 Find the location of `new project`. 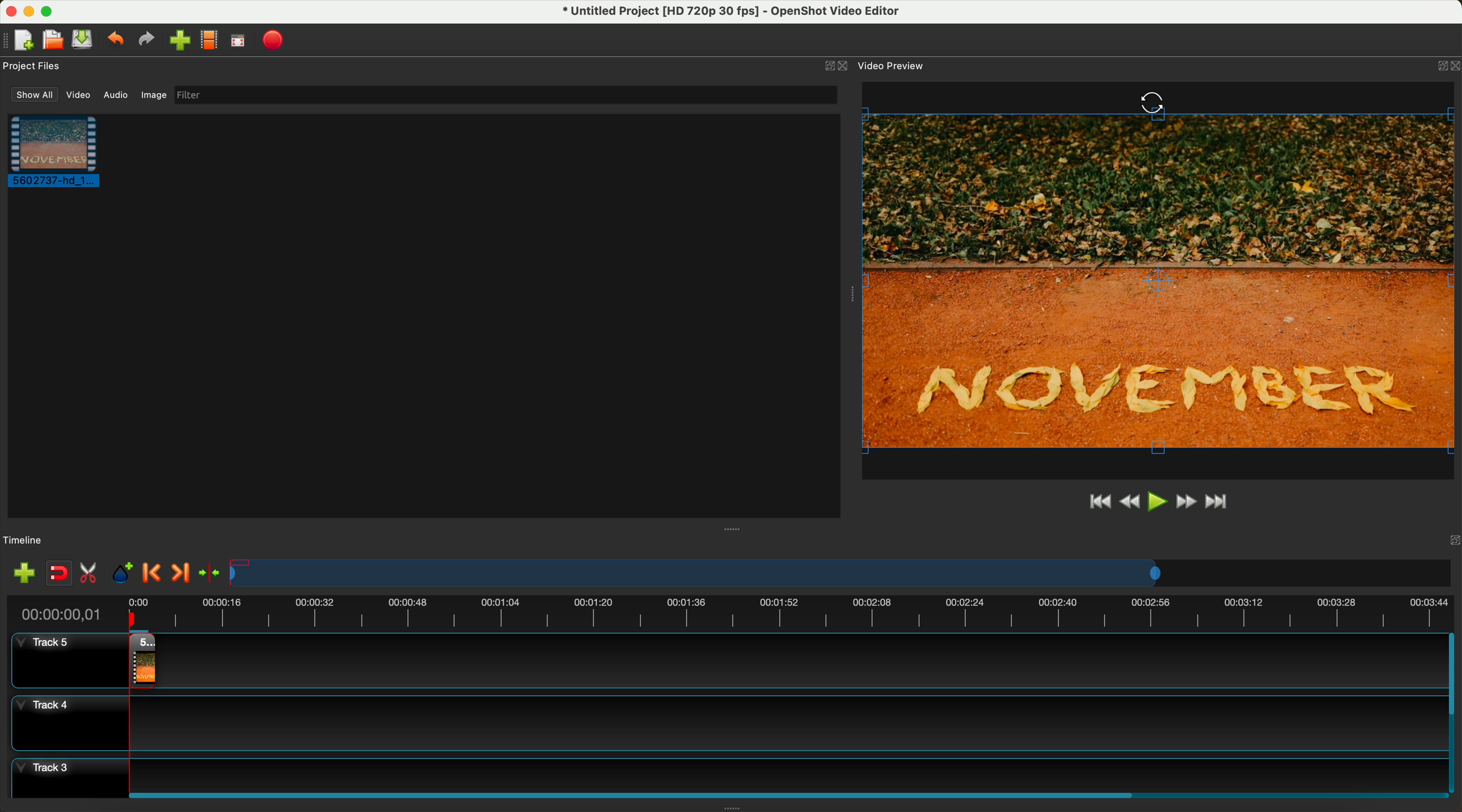

new project is located at coordinates (26, 39).